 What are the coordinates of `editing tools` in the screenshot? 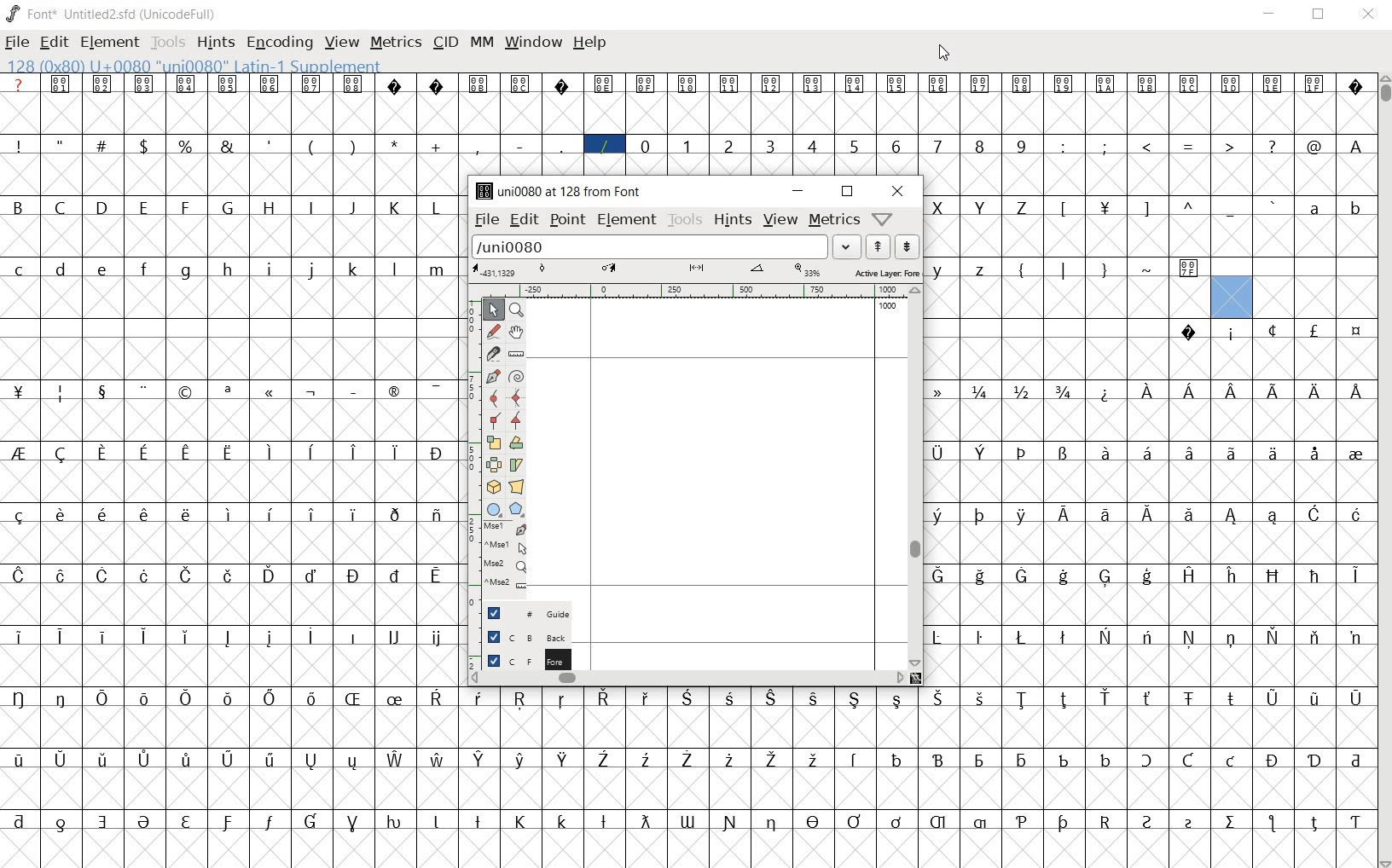 It's located at (497, 452).